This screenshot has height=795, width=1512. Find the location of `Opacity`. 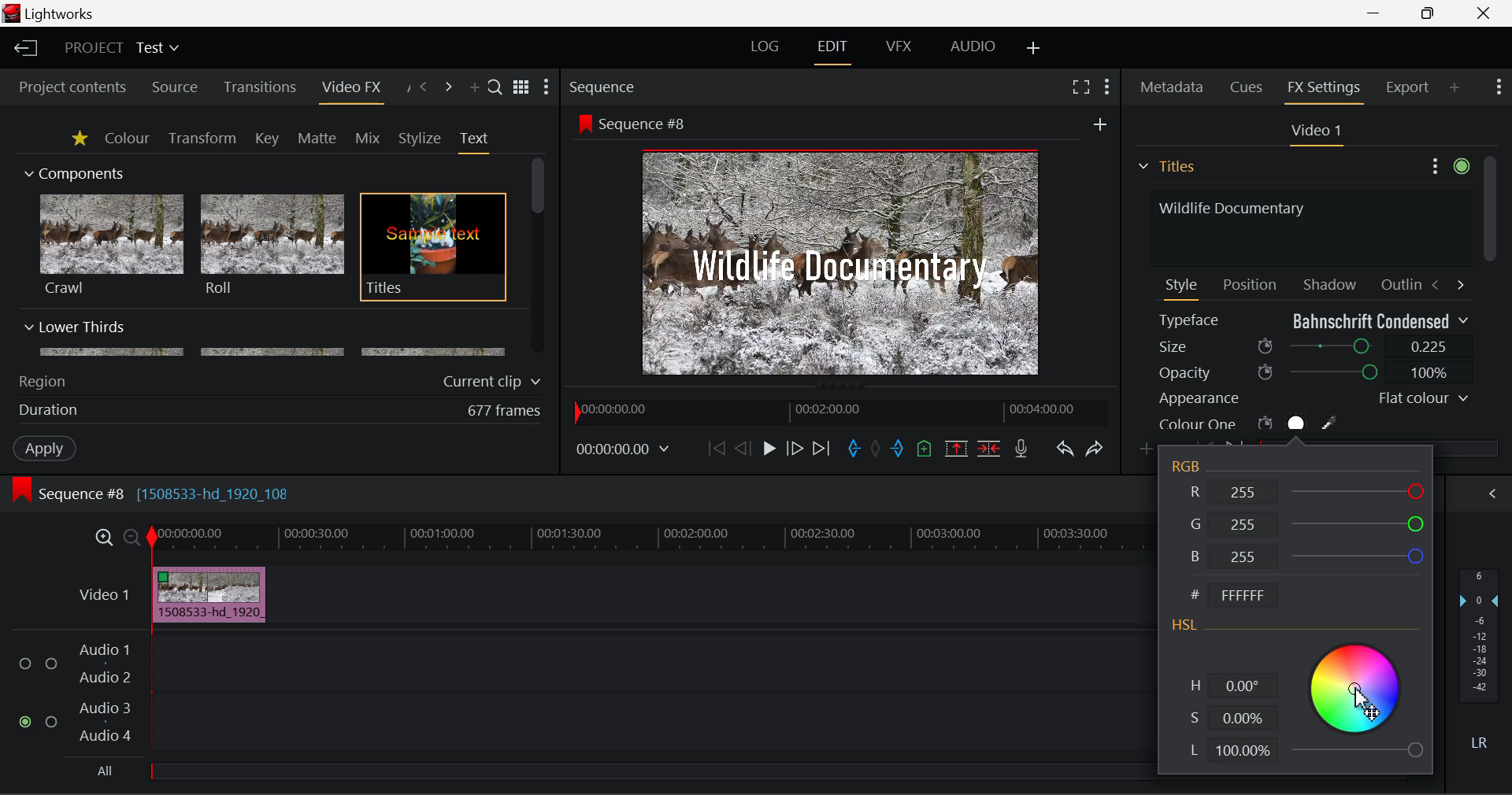

Opacity is located at coordinates (1314, 372).